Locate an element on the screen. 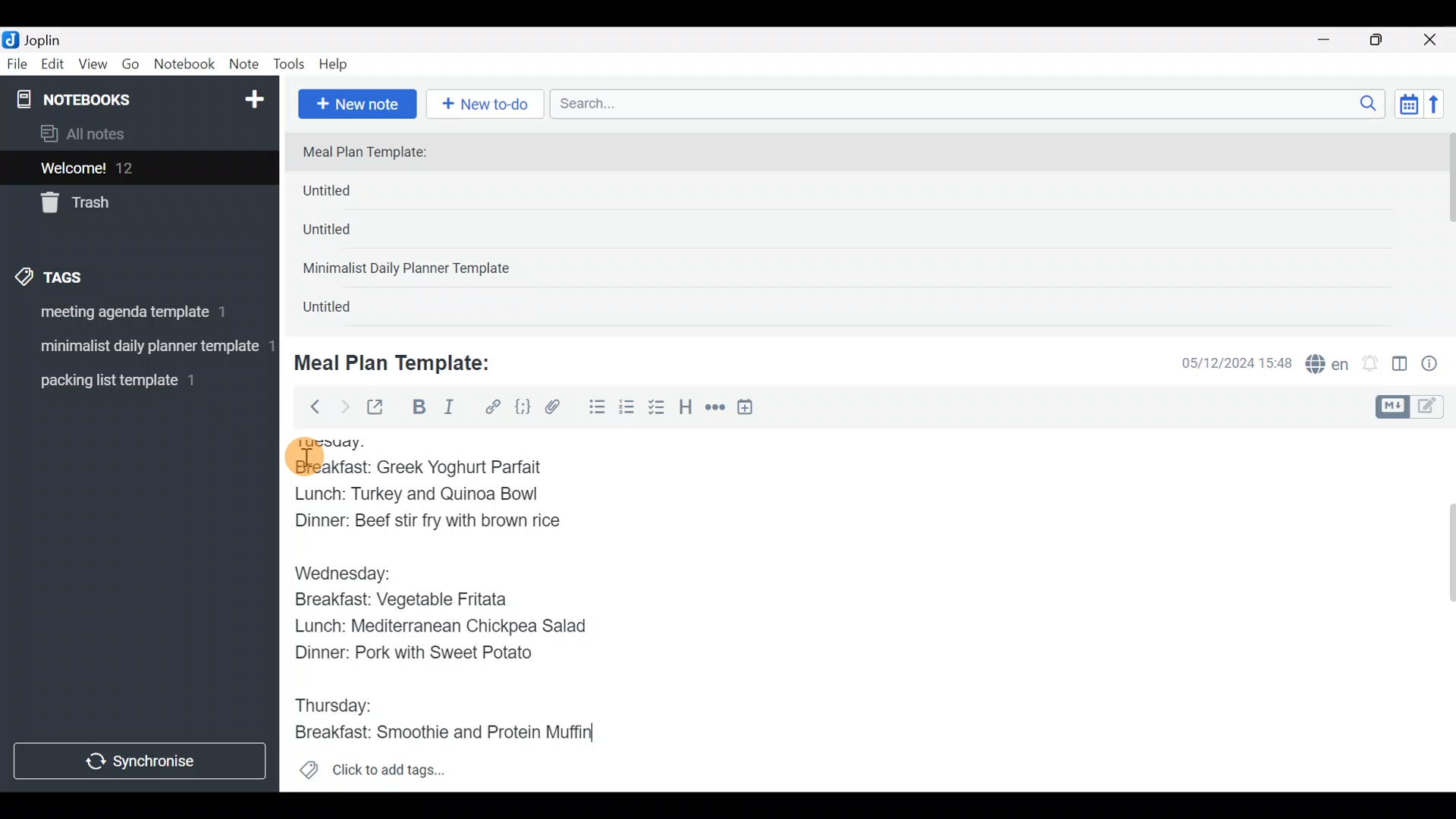 This screenshot has height=819, width=1456. Edit is located at coordinates (53, 67).